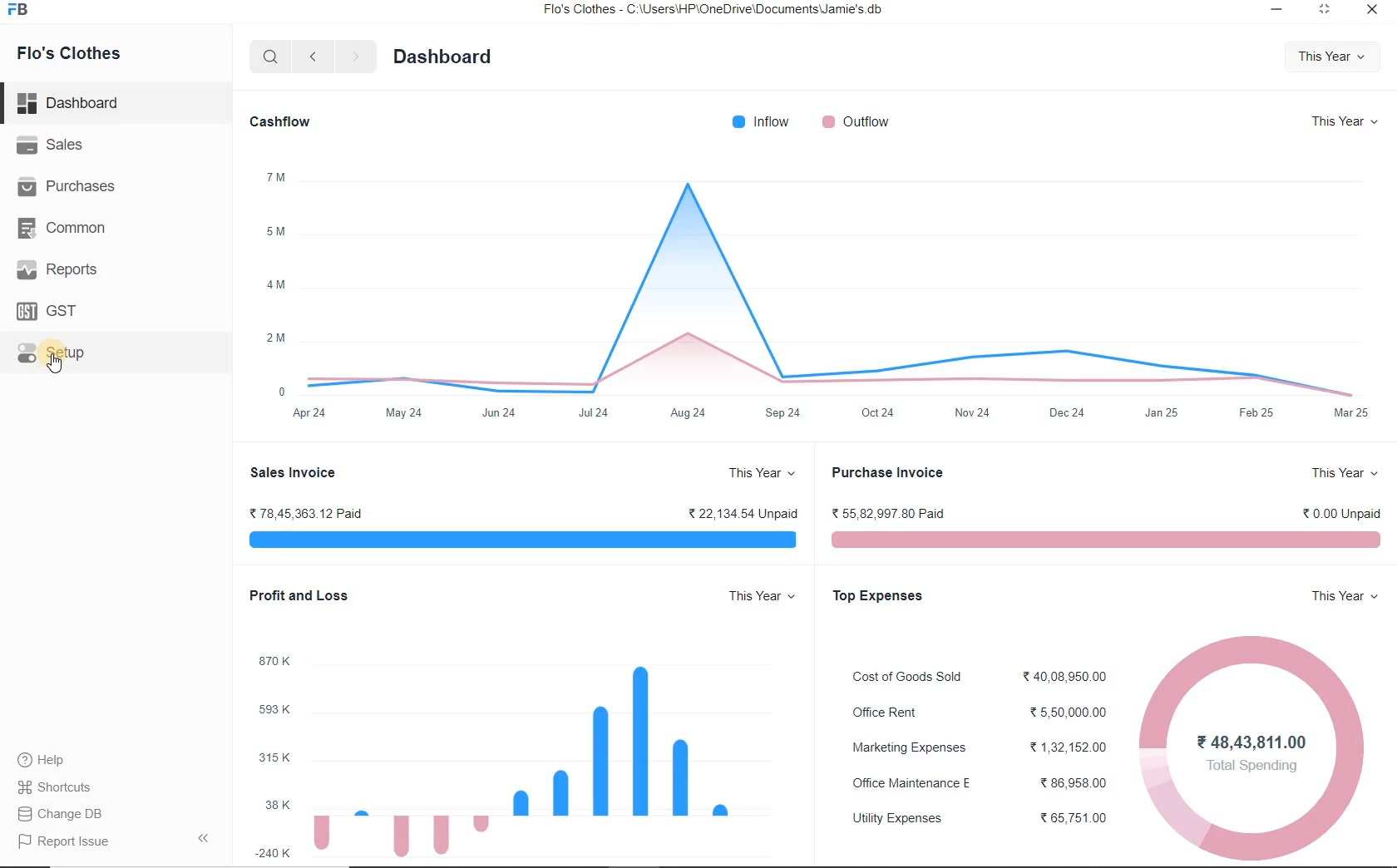 The height and width of the screenshot is (868, 1397). What do you see at coordinates (279, 175) in the screenshot?
I see `7 M` at bounding box center [279, 175].